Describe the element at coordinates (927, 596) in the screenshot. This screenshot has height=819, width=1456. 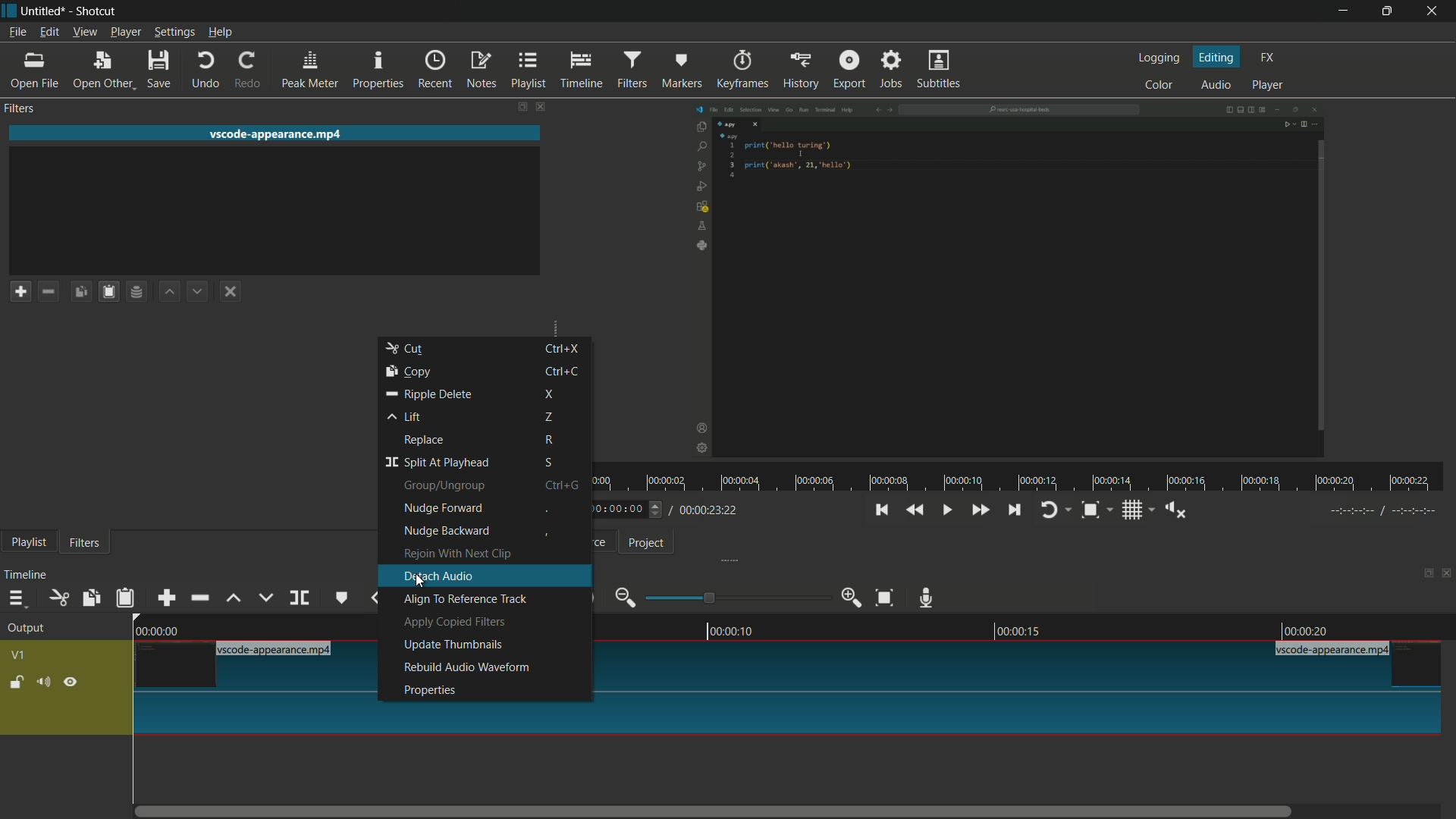
I see `record audio` at that location.